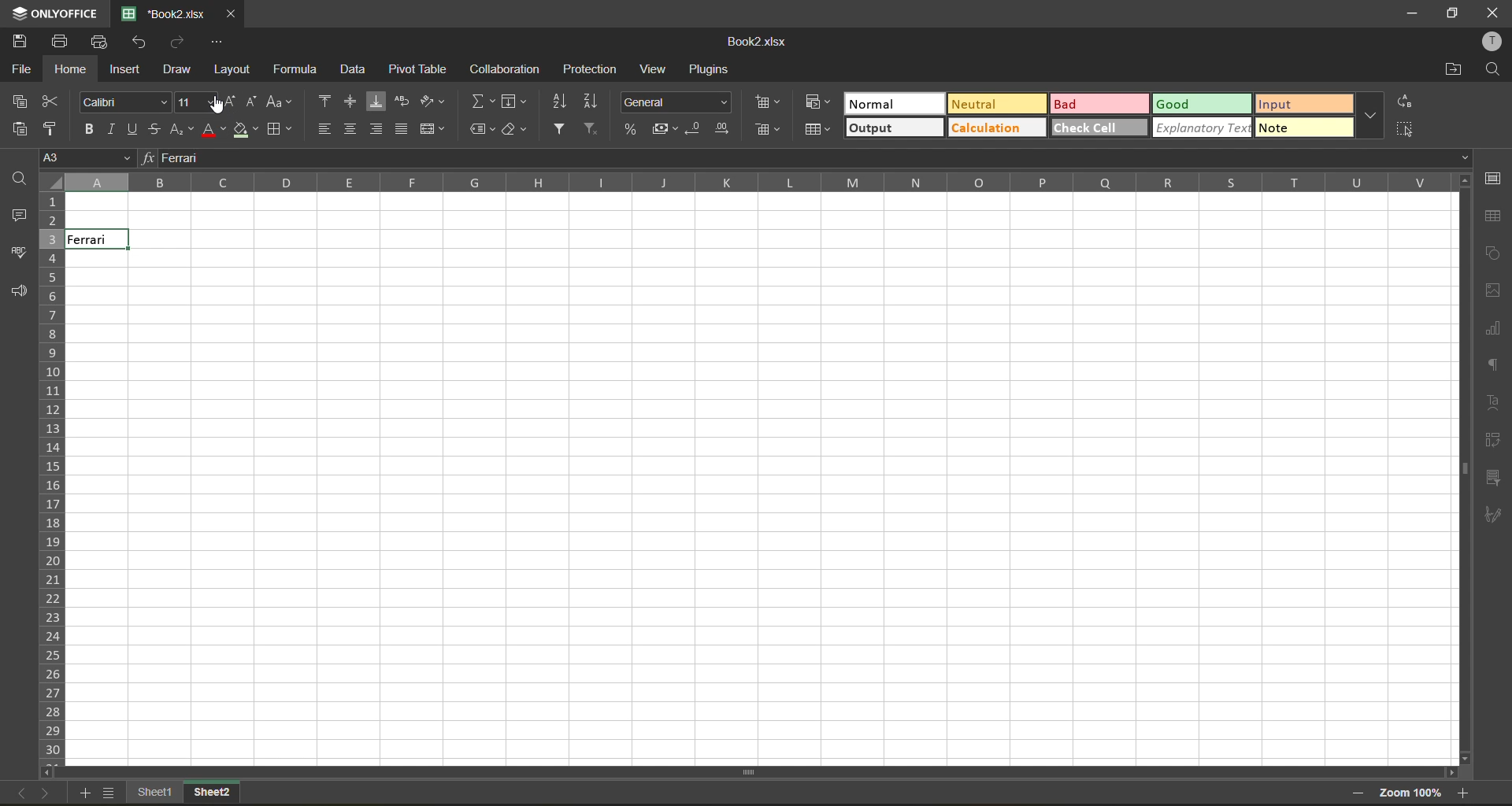 This screenshot has width=1512, height=806. What do you see at coordinates (354, 101) in the screenshot?
I see `align middle` at bounding box center [354, 101].